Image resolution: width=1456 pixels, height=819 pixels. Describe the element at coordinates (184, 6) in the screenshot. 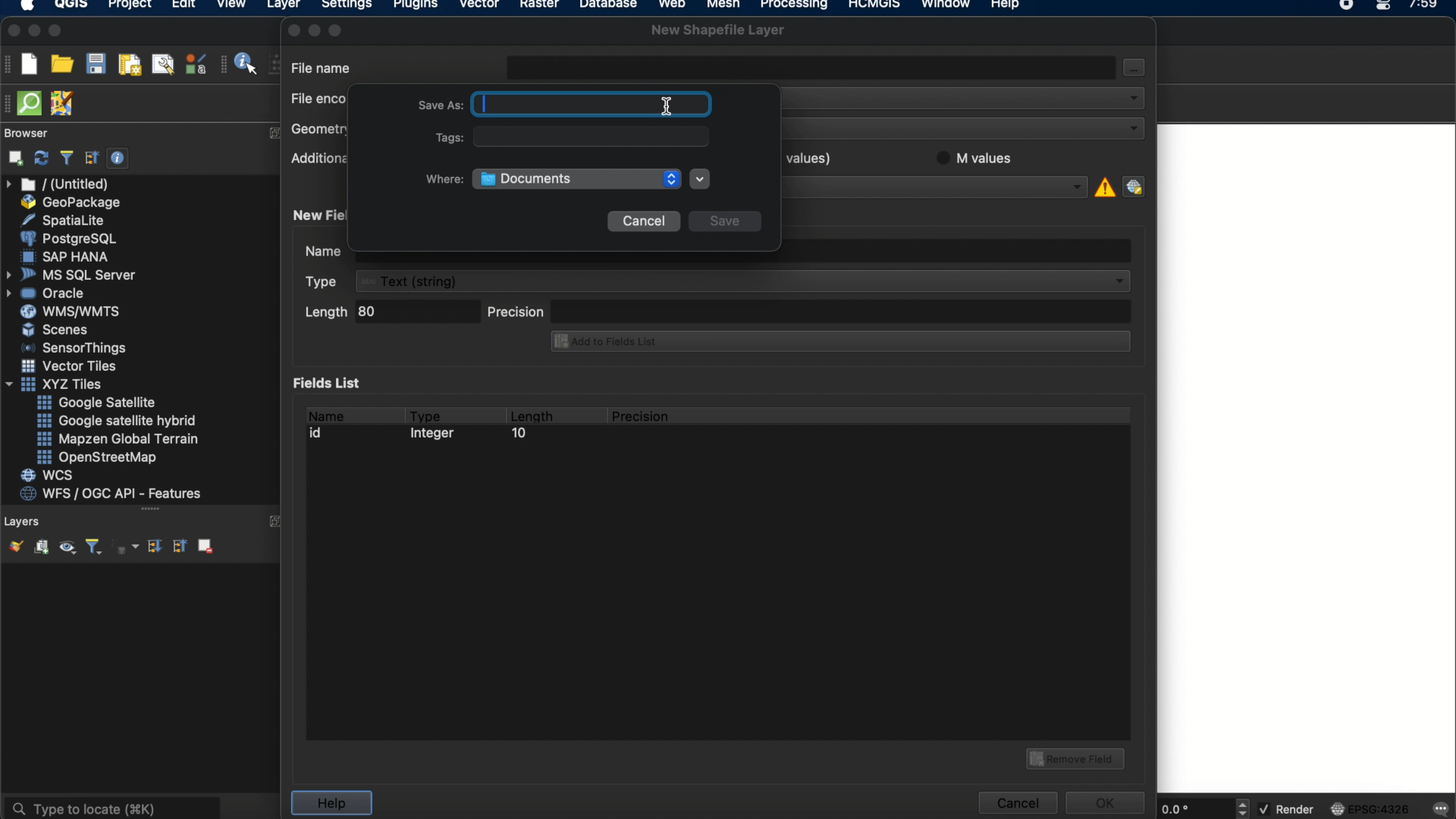

I see `edit` at that location.